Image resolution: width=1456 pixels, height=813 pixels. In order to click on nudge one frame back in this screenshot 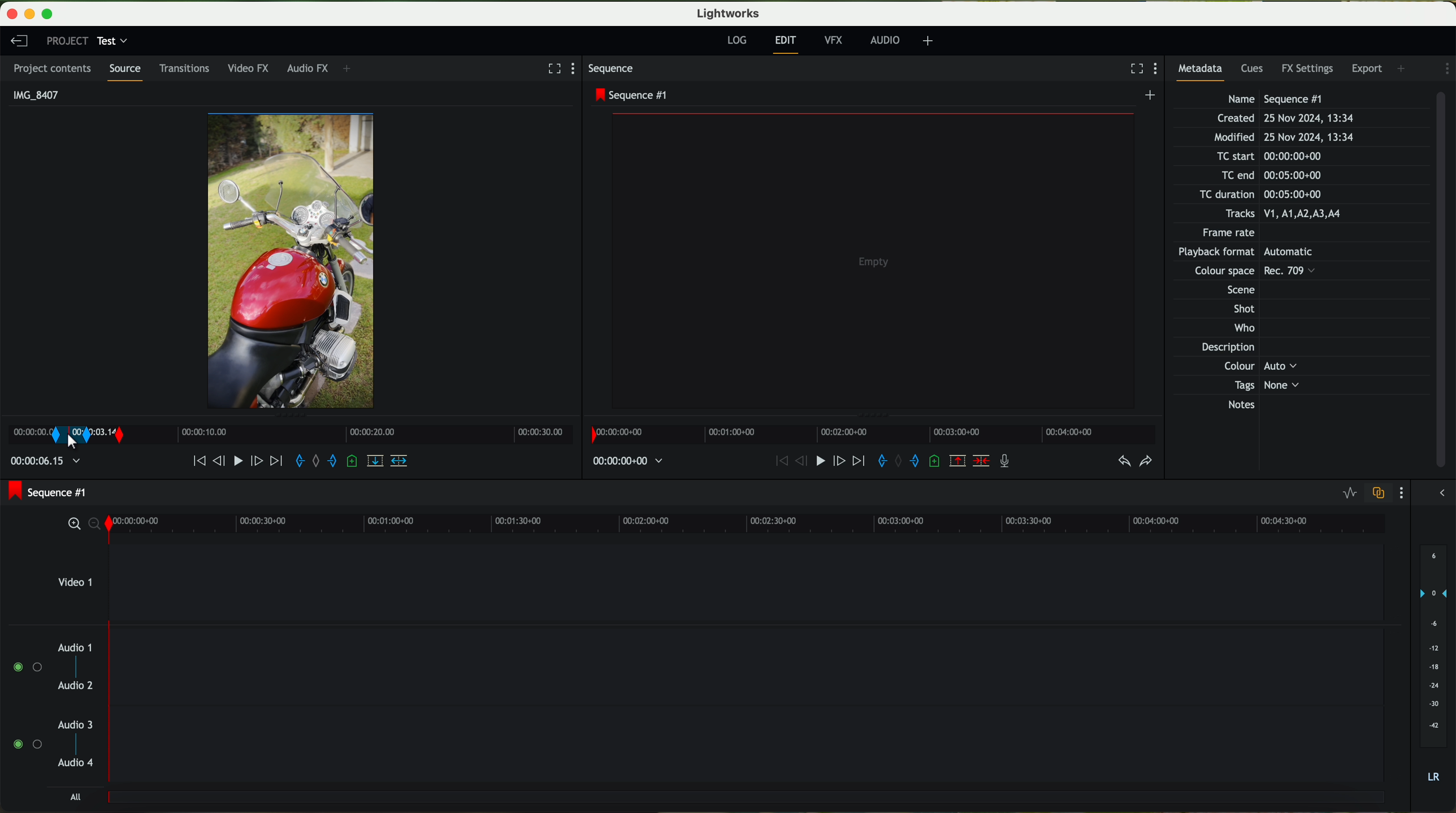, I will do `click(794, 464)`.